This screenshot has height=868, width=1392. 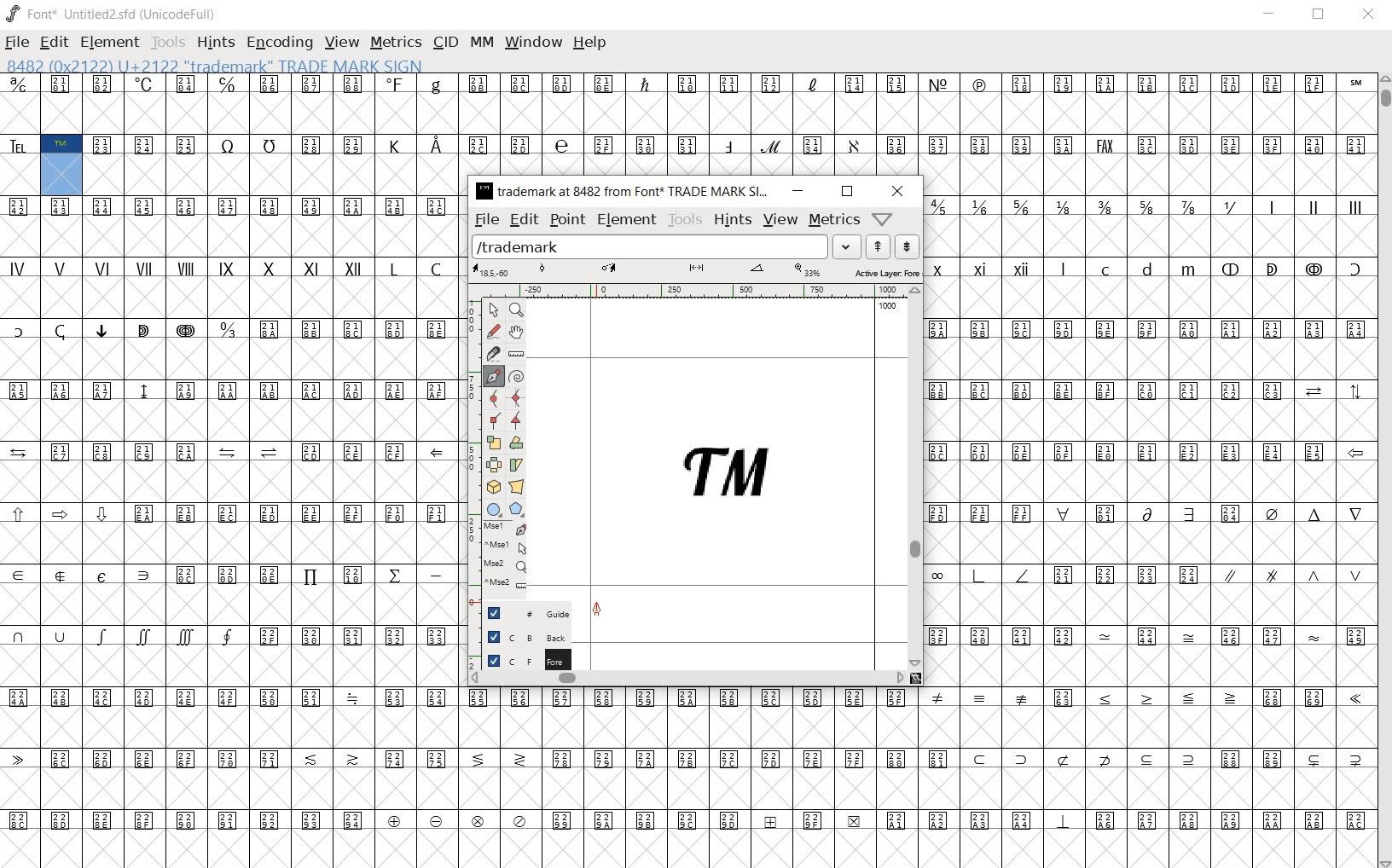 What do you see at coordinates (354, 349) in the screenshot?
I see `symbols` at bounding box center [354, 349].